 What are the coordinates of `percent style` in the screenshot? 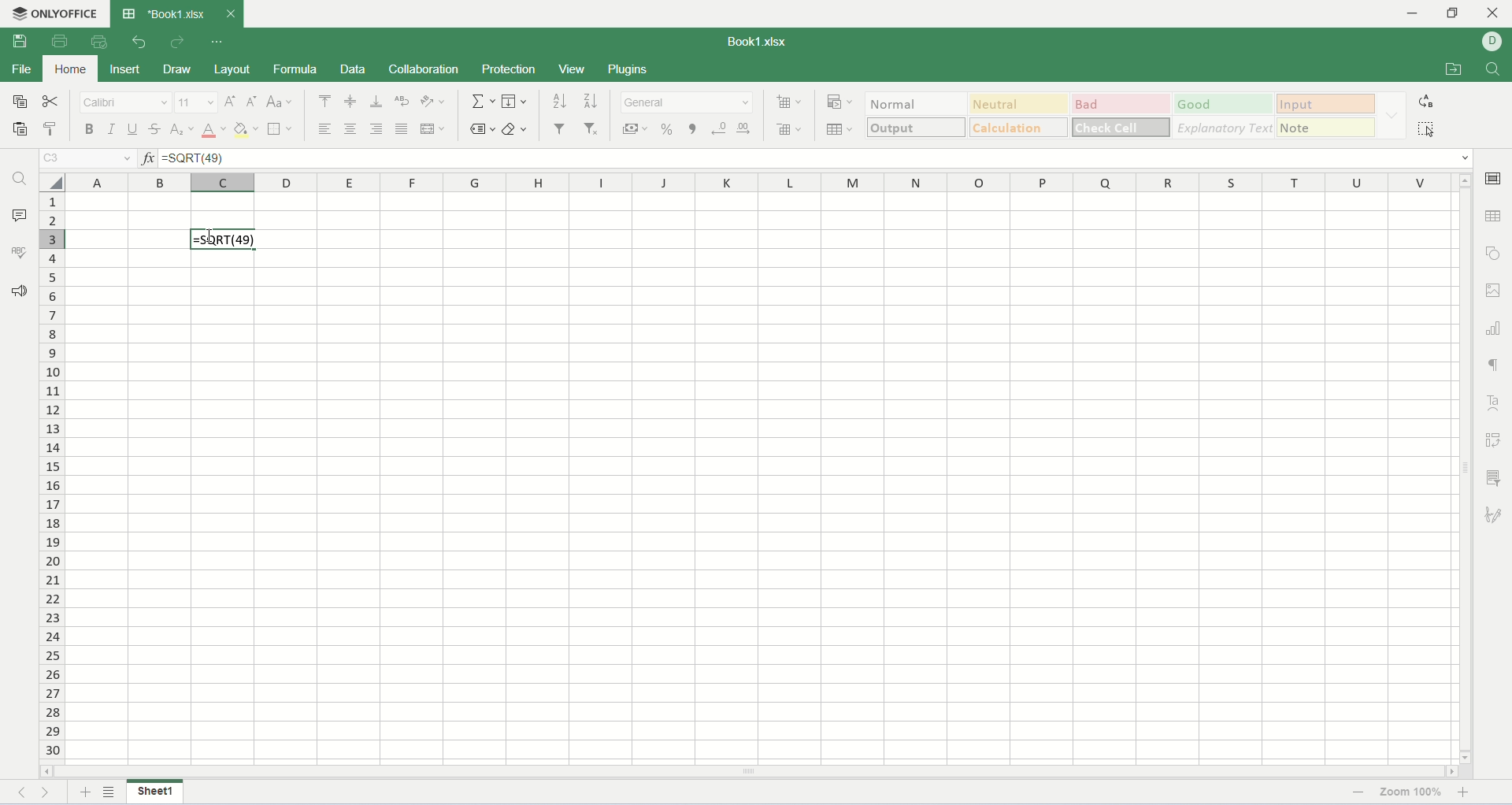 It's located at (669, 127).